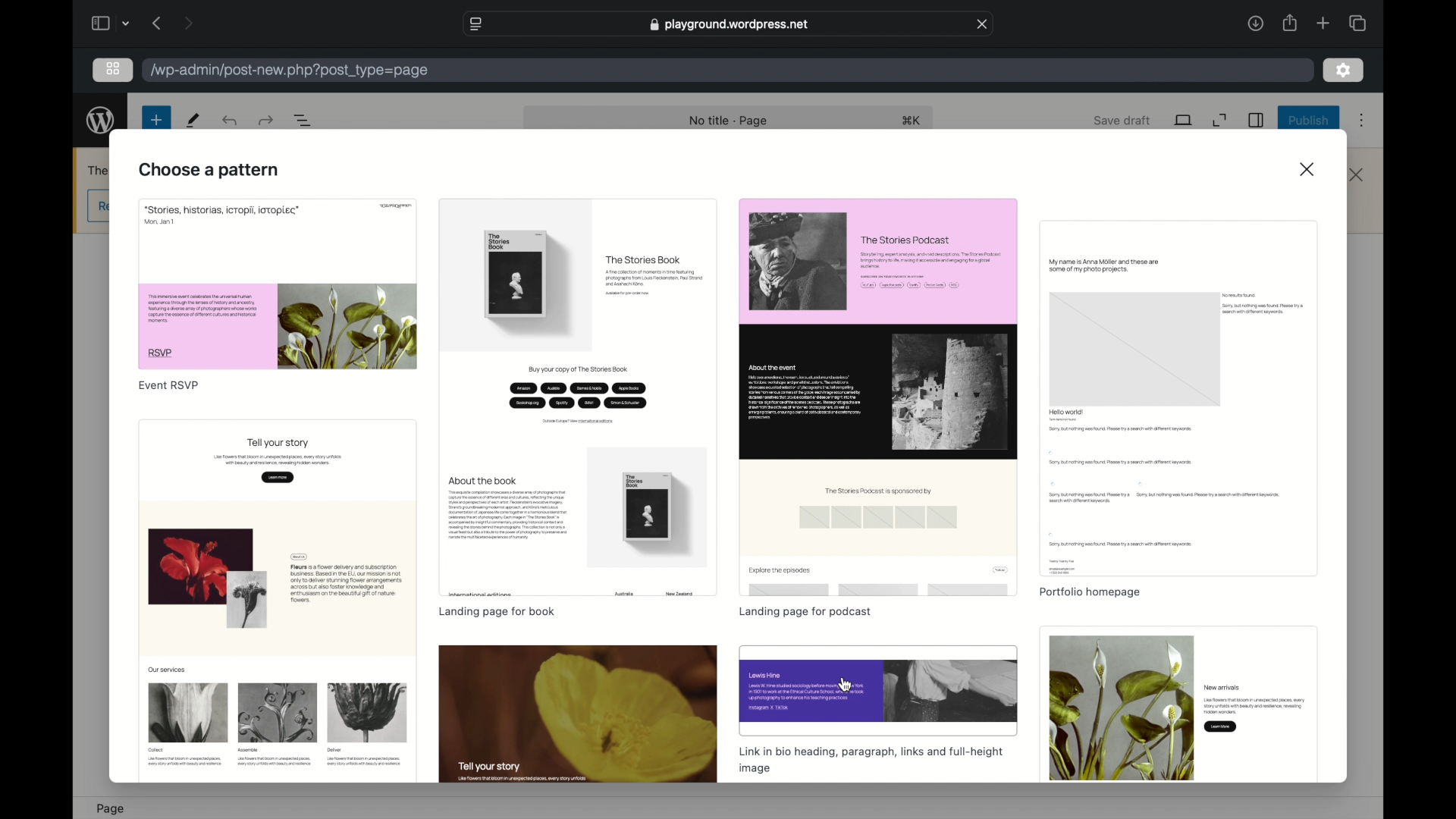  Describe the element at coordinates (278, 284) in the screenshot. I see `preview` at that location.